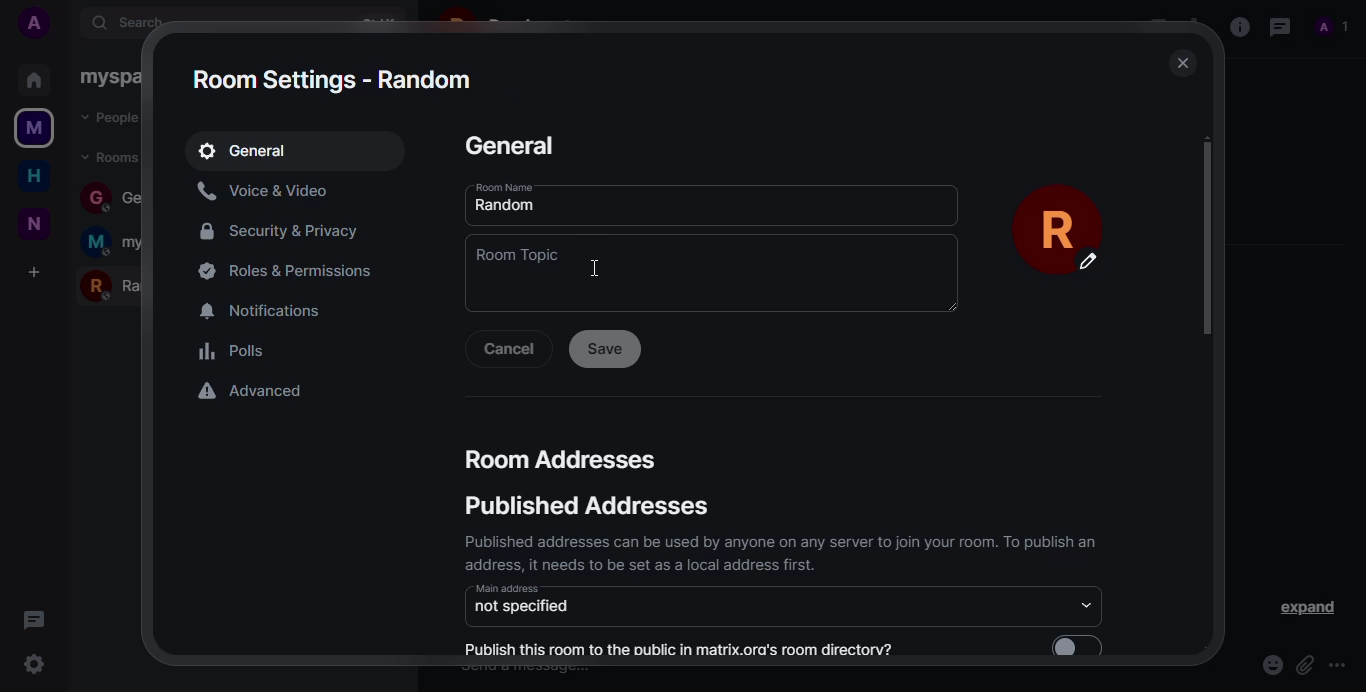 The image size is (1366, 692). I want to click on myspace, so click(105, 77).